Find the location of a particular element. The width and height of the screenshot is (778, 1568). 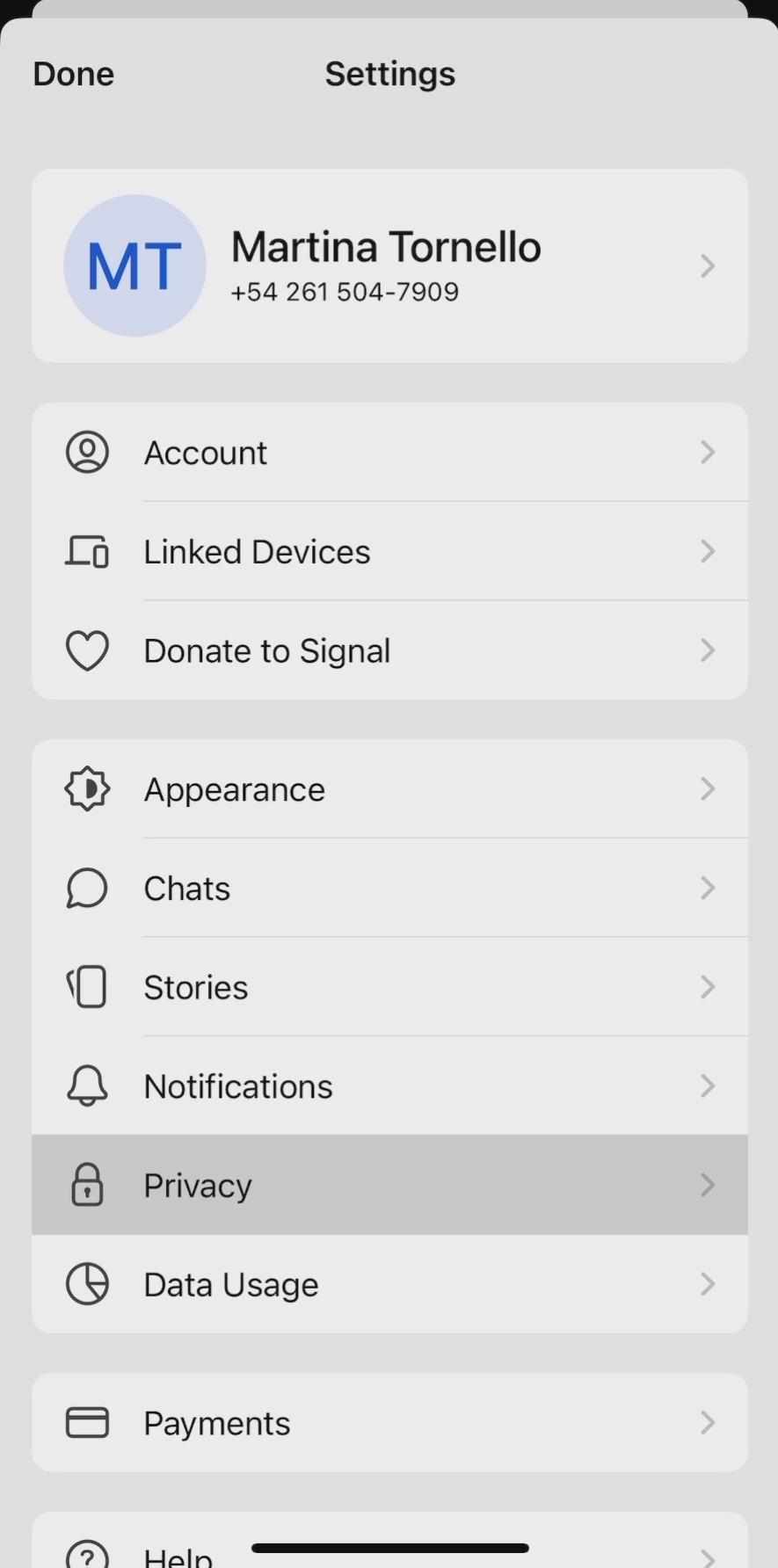

done is located at coordinates (72, 74).